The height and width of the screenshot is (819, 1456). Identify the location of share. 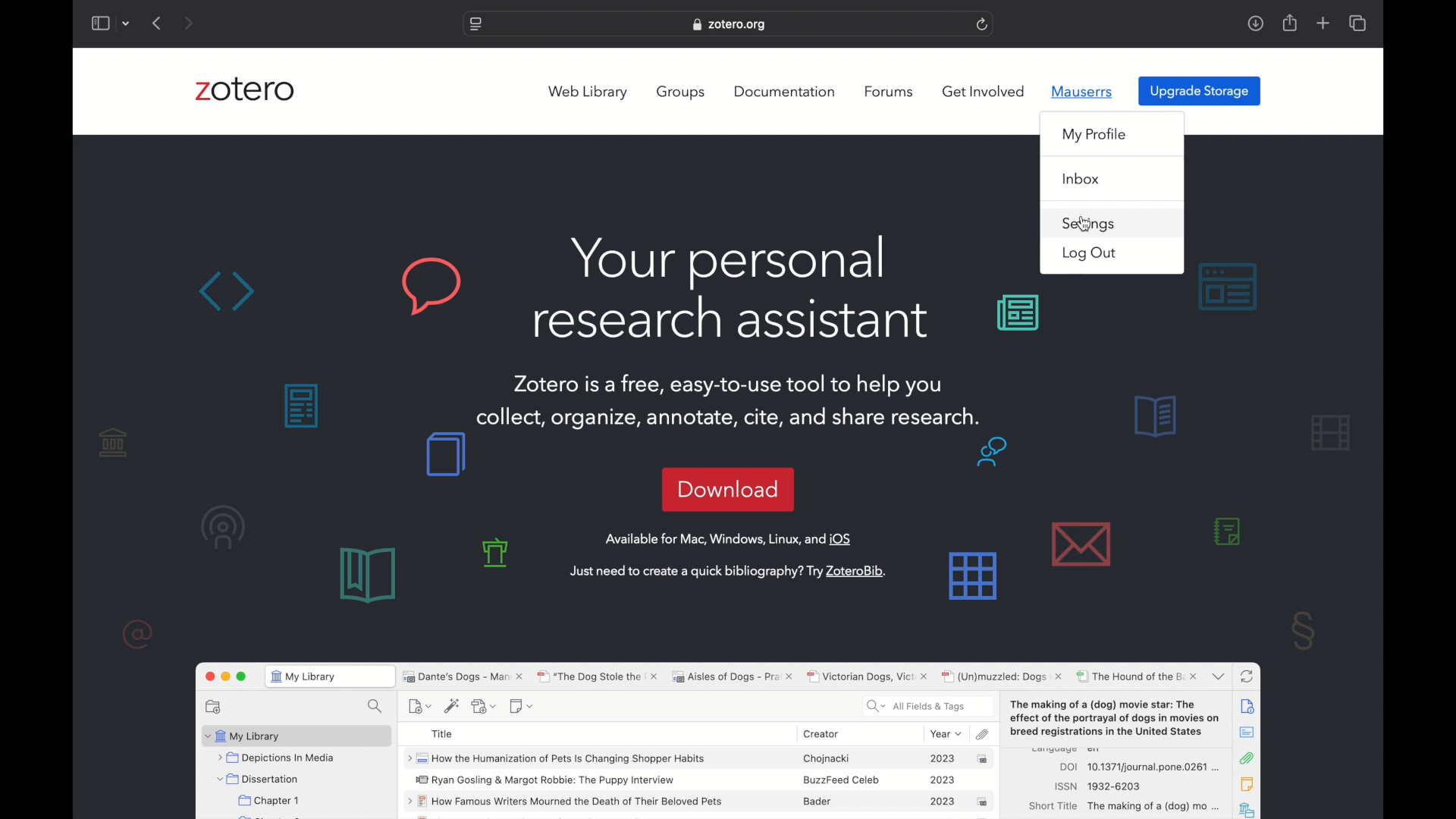
(1288, 23).